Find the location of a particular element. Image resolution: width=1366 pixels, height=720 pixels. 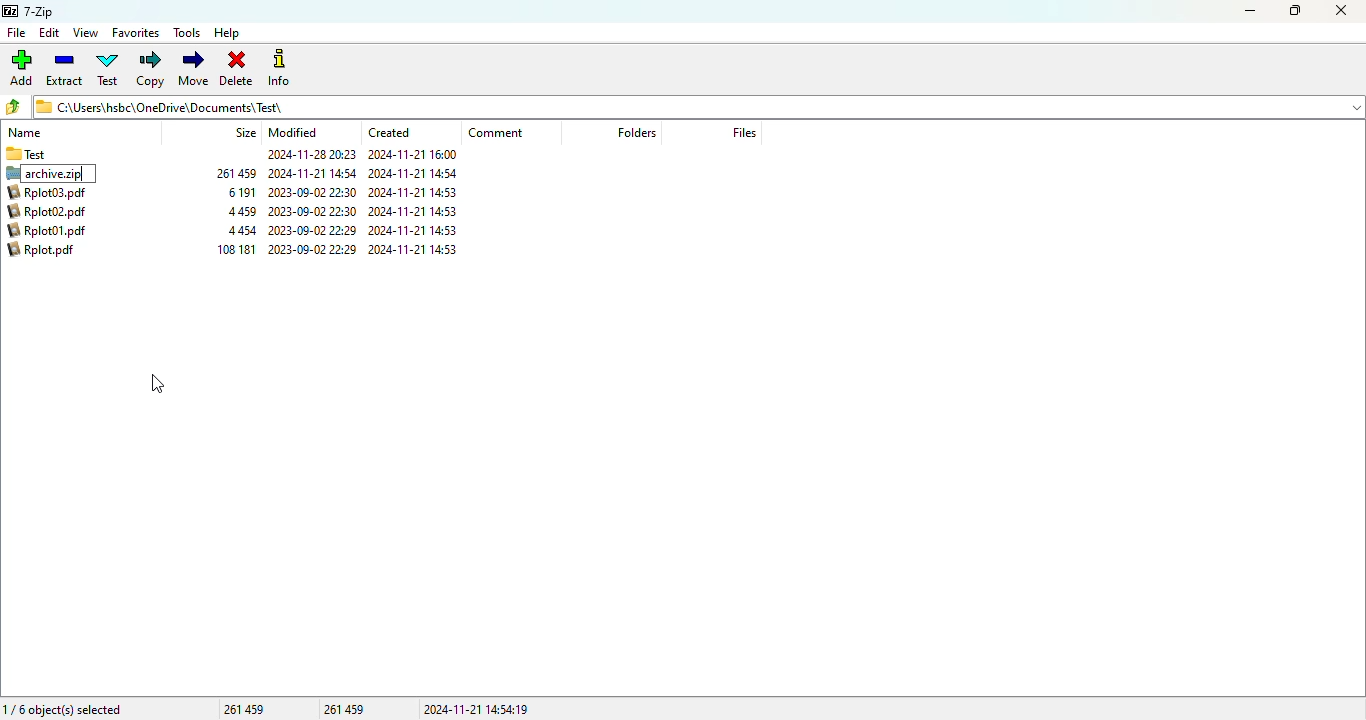

2023-09-02 22:30 is located at coordinates (313, 193).